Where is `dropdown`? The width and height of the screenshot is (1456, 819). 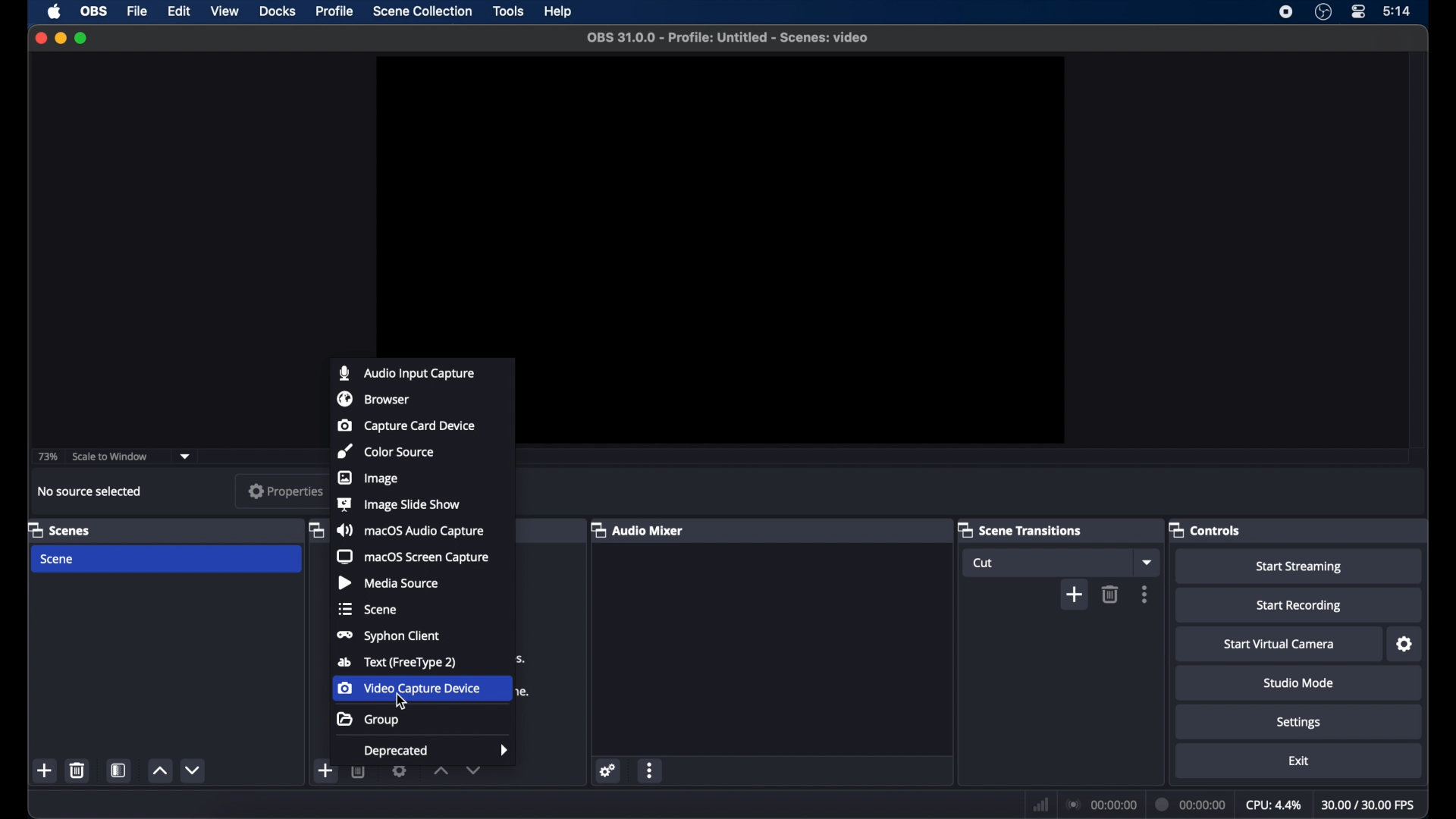
dropdown is located at coordinates (1147, 563).